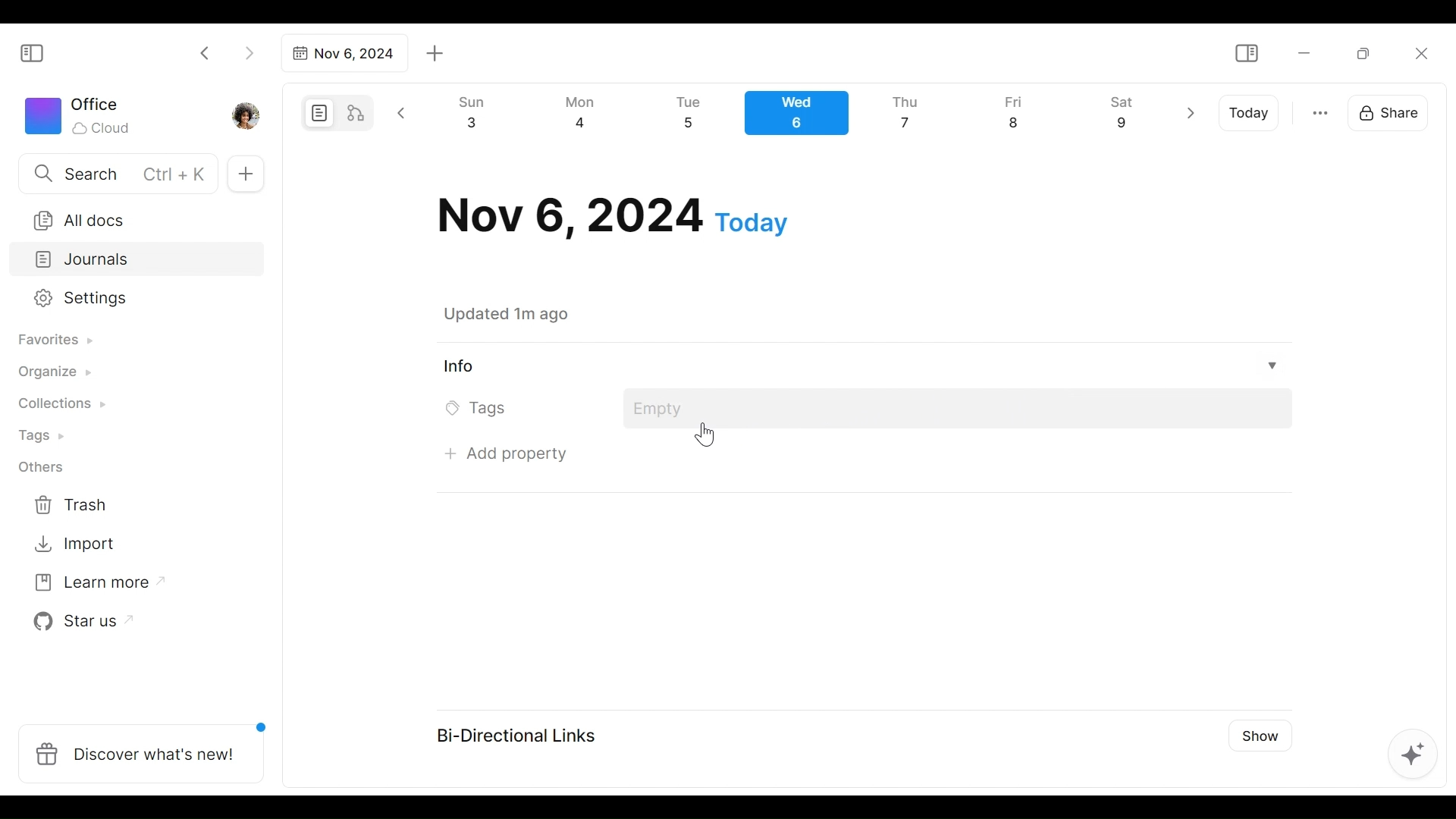 This screenshot has height=819, width=1456. I want to click on Workspace icon, so click(80, 114).